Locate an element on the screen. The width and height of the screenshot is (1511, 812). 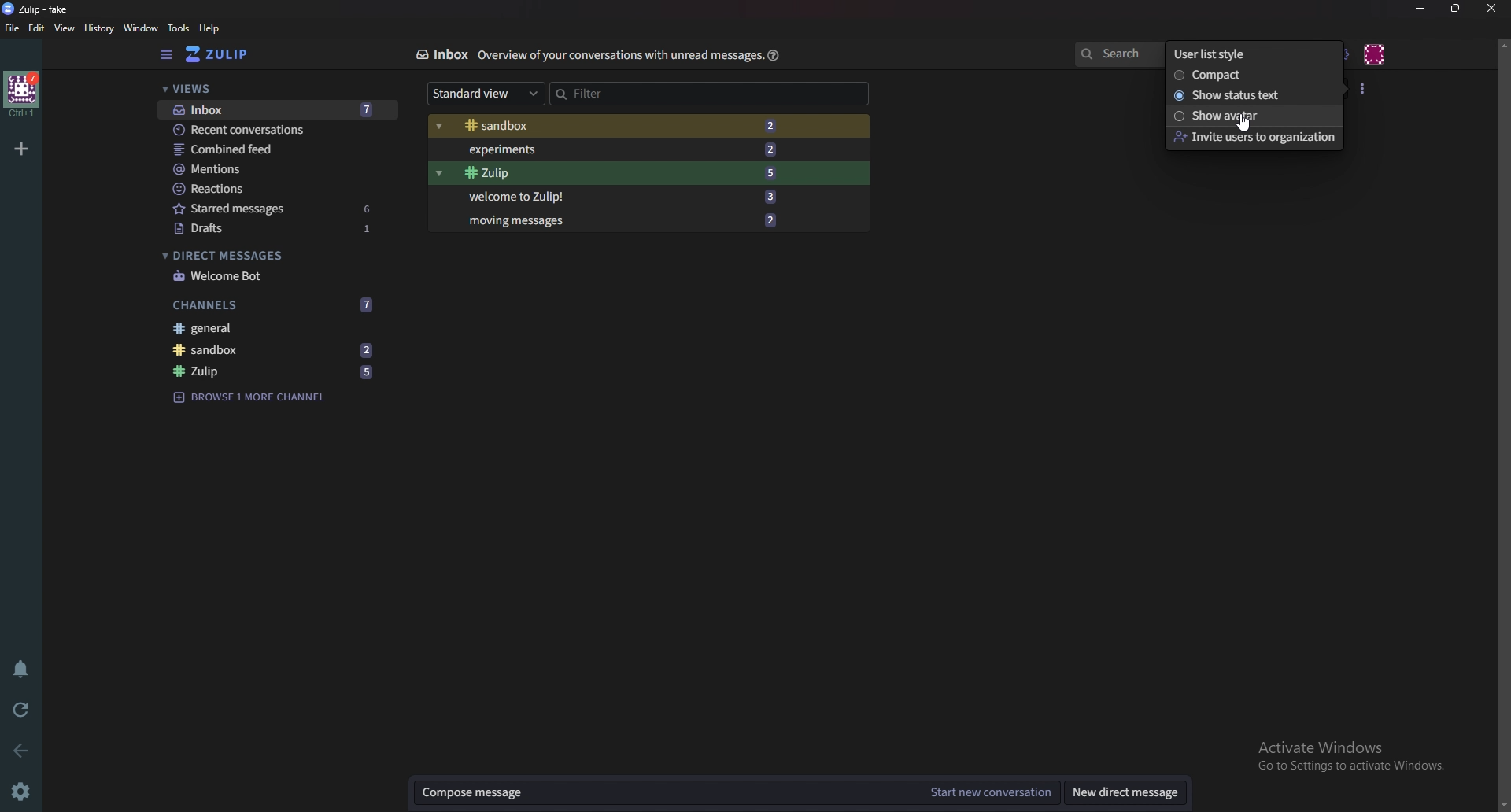
General is located at coordinates (275, 328).